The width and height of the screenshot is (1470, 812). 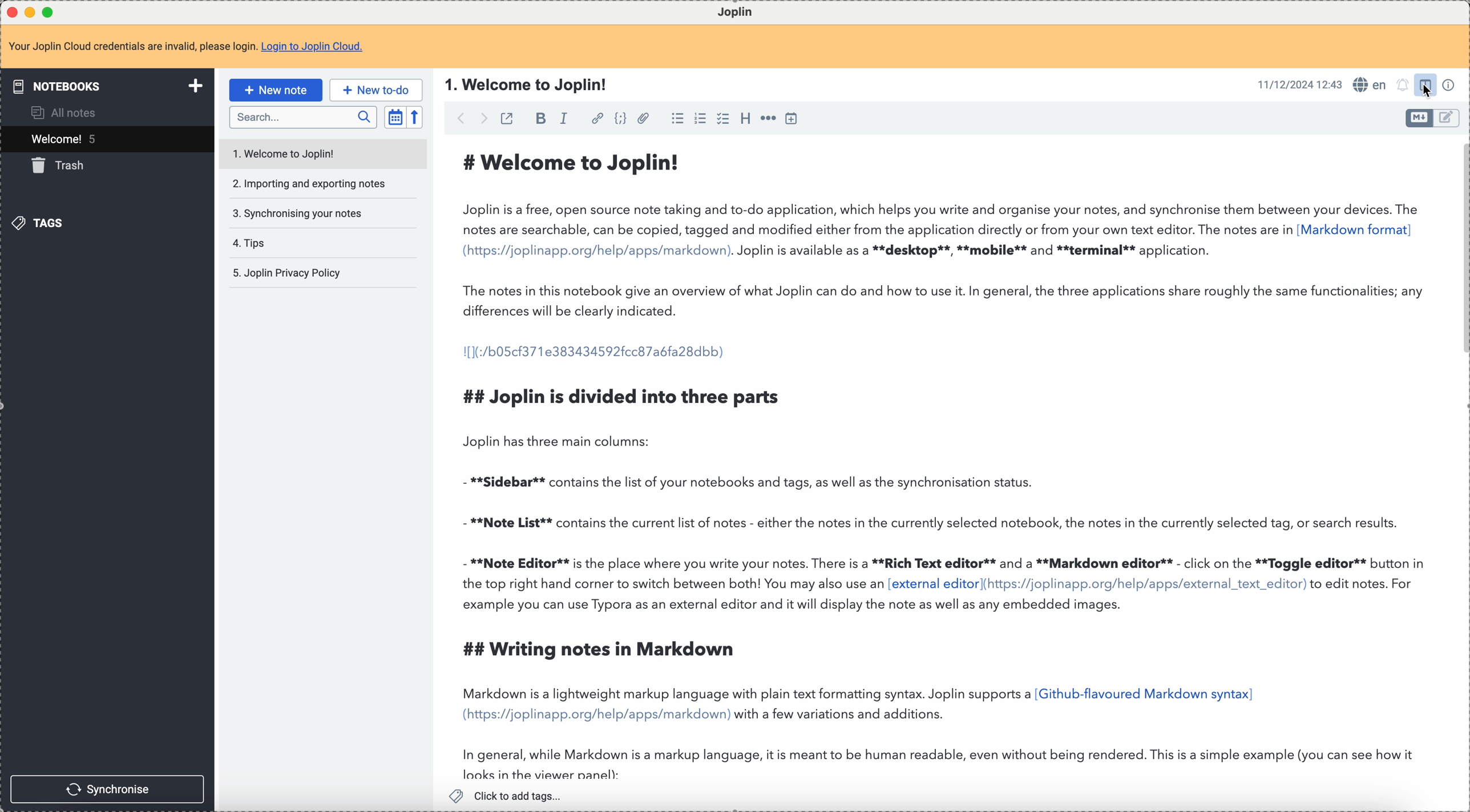 What do you see at coordinates (131, 48) in the screenshot?
I see `Your Joplin Cloud credentials are invalid, please login.` at bounding box center [131, 48].